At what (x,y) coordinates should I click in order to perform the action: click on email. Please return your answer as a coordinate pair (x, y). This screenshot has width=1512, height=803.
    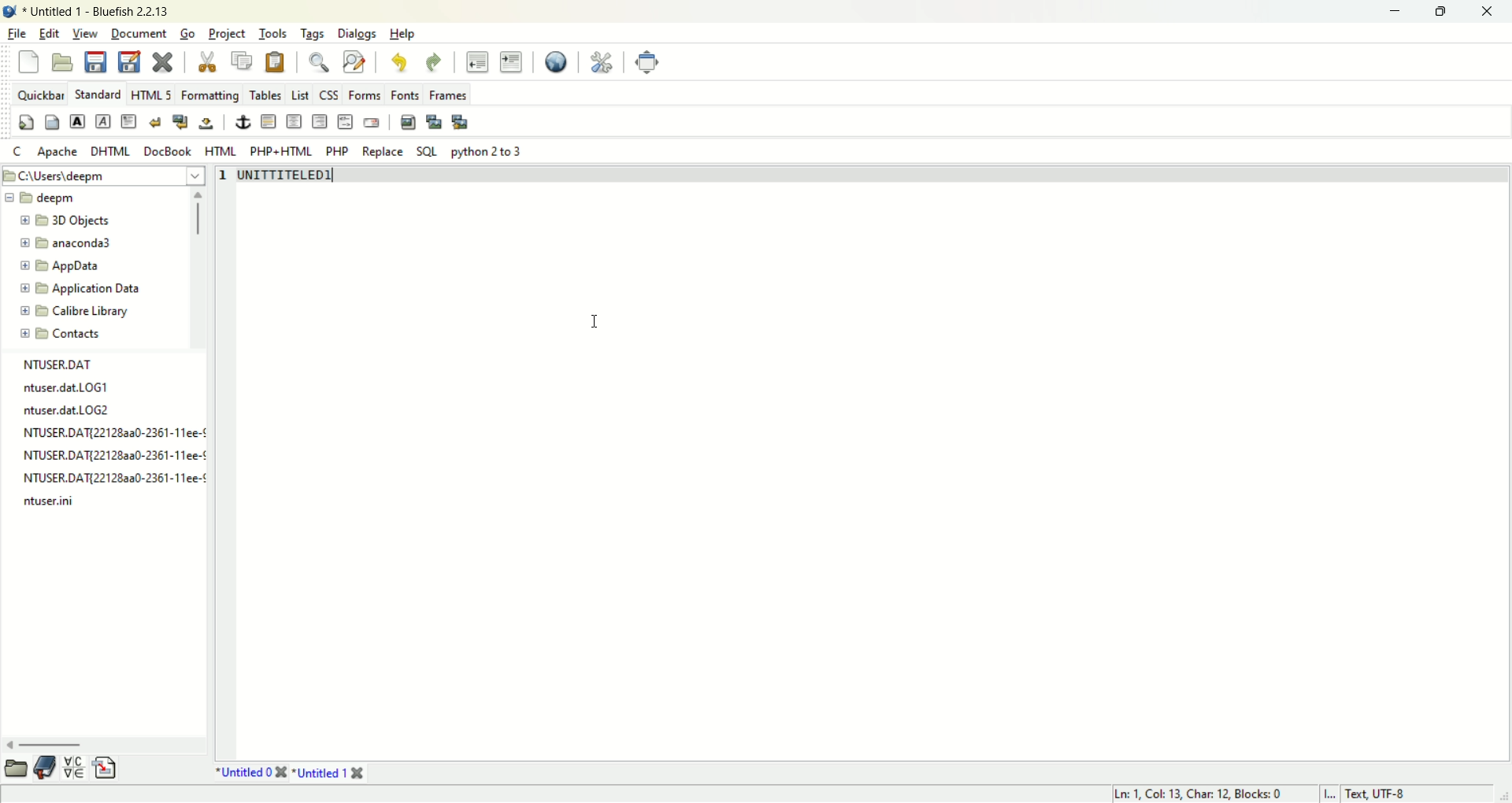
    Looking at the image, I should click on (370, 120).